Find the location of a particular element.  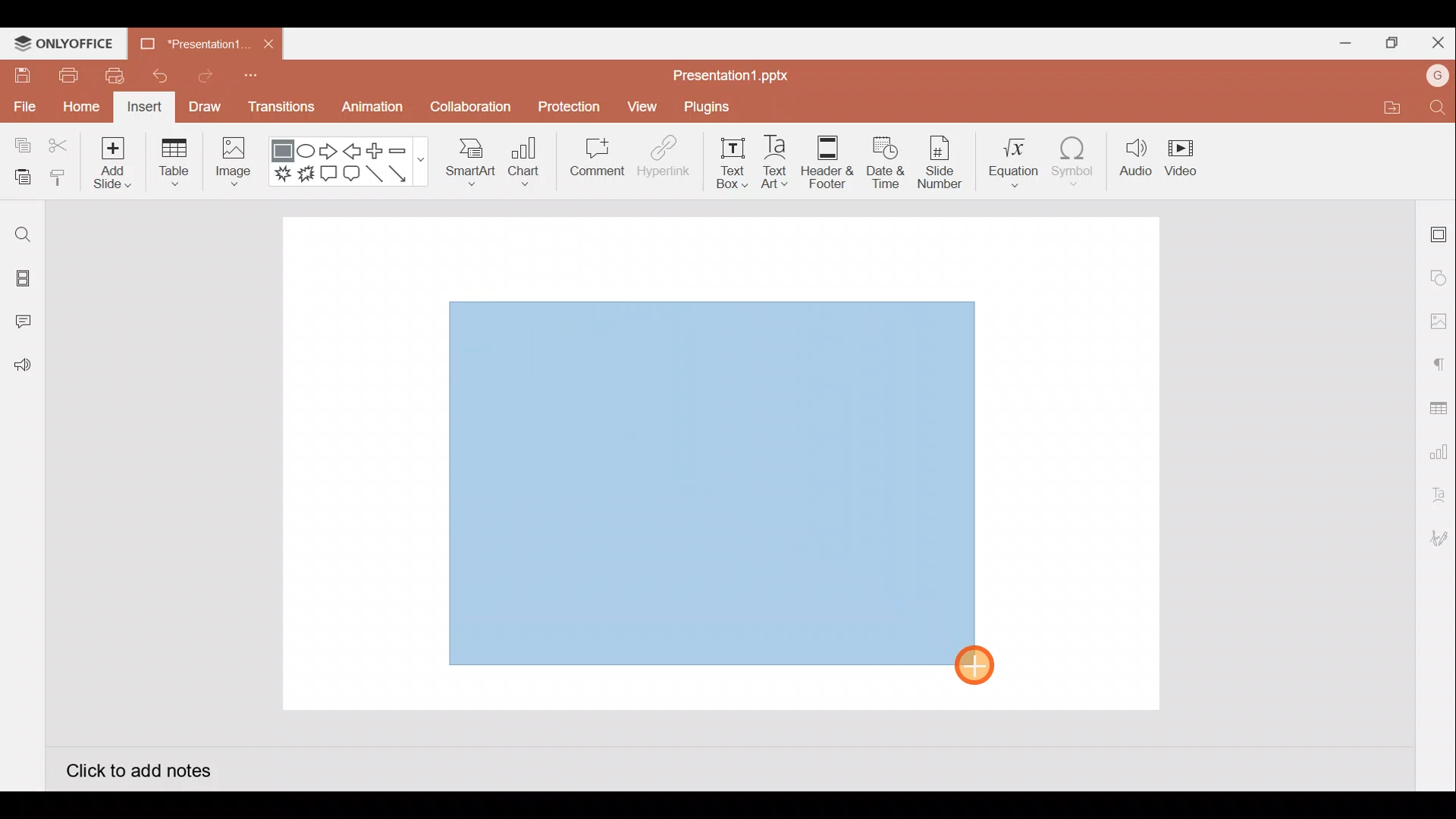

Plugins is located at coordinates (718, 107).